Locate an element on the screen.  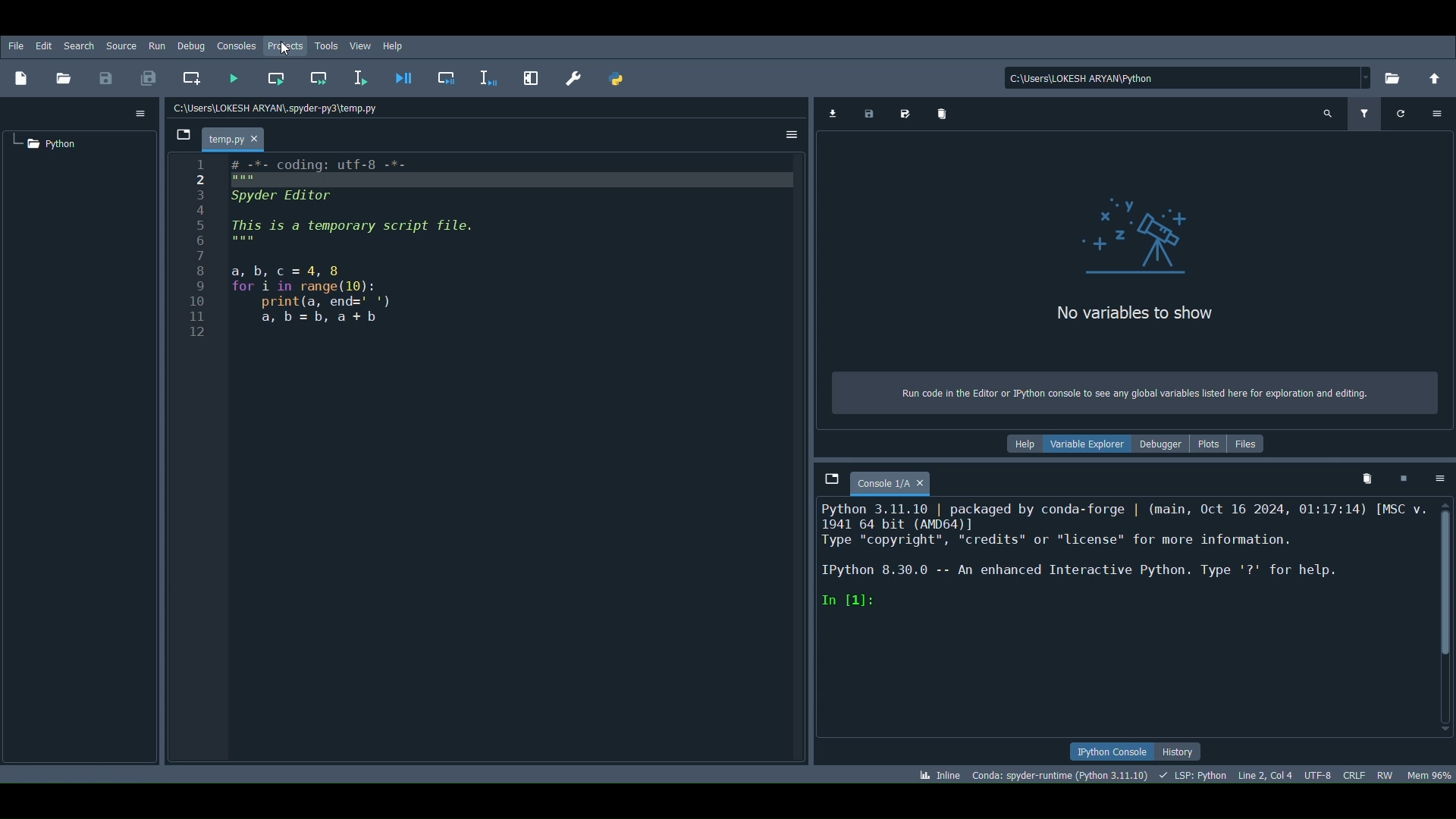
Variable explorer is located at coordinates (1087, 444).